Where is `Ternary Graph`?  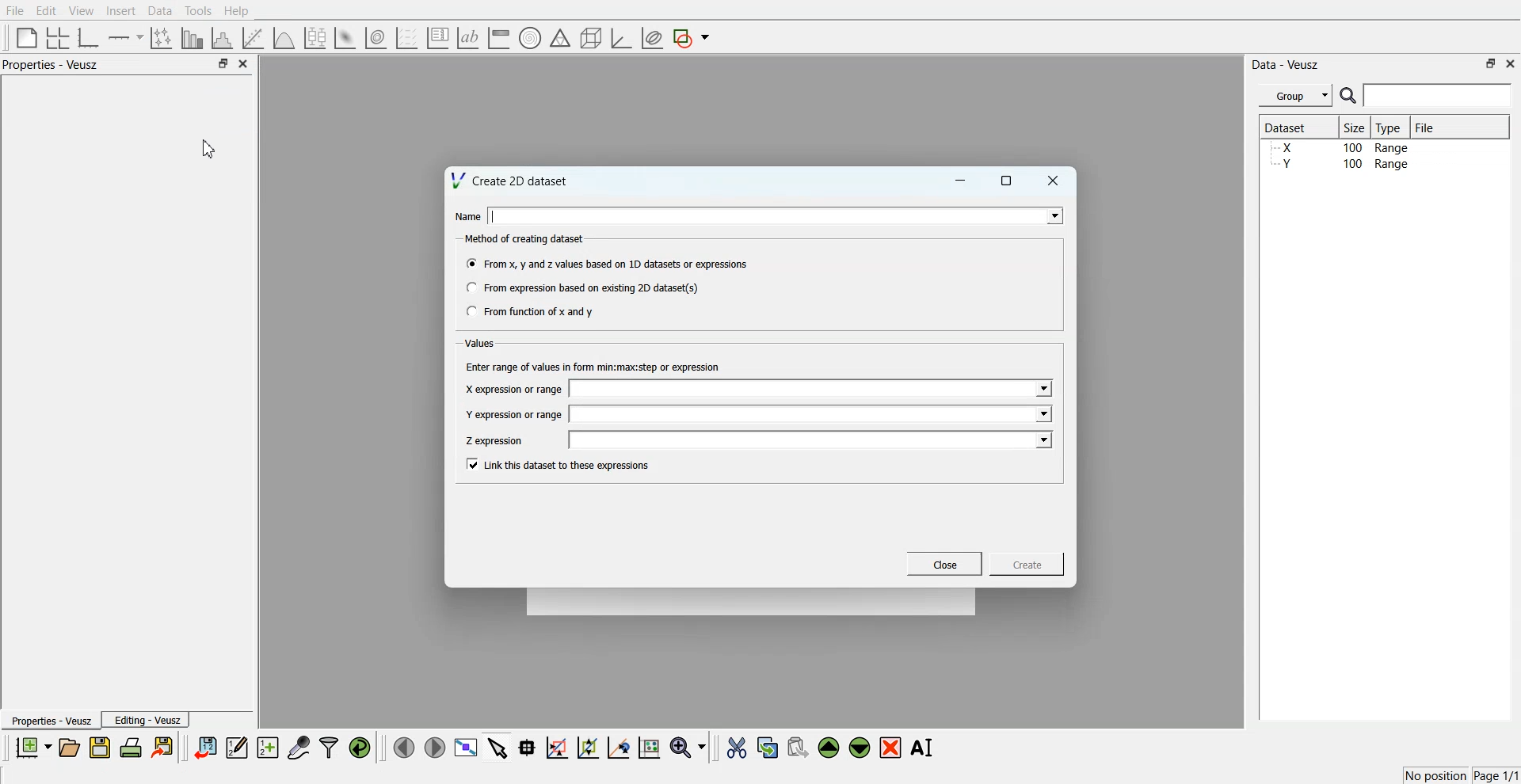
Ternary Graph is located at coordinates (560, 37).